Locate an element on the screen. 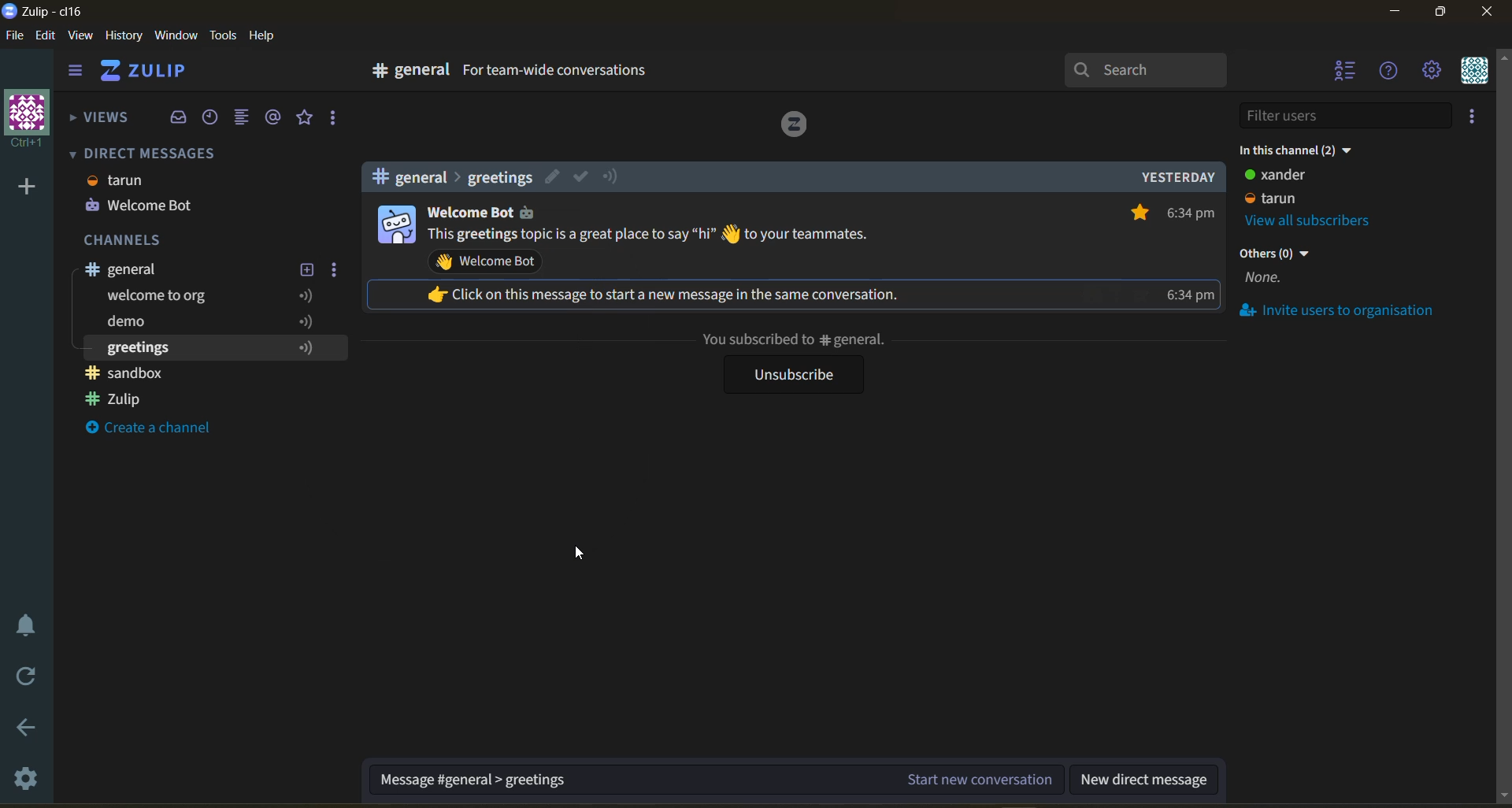  main menu is located at coordinates (1436, 72).